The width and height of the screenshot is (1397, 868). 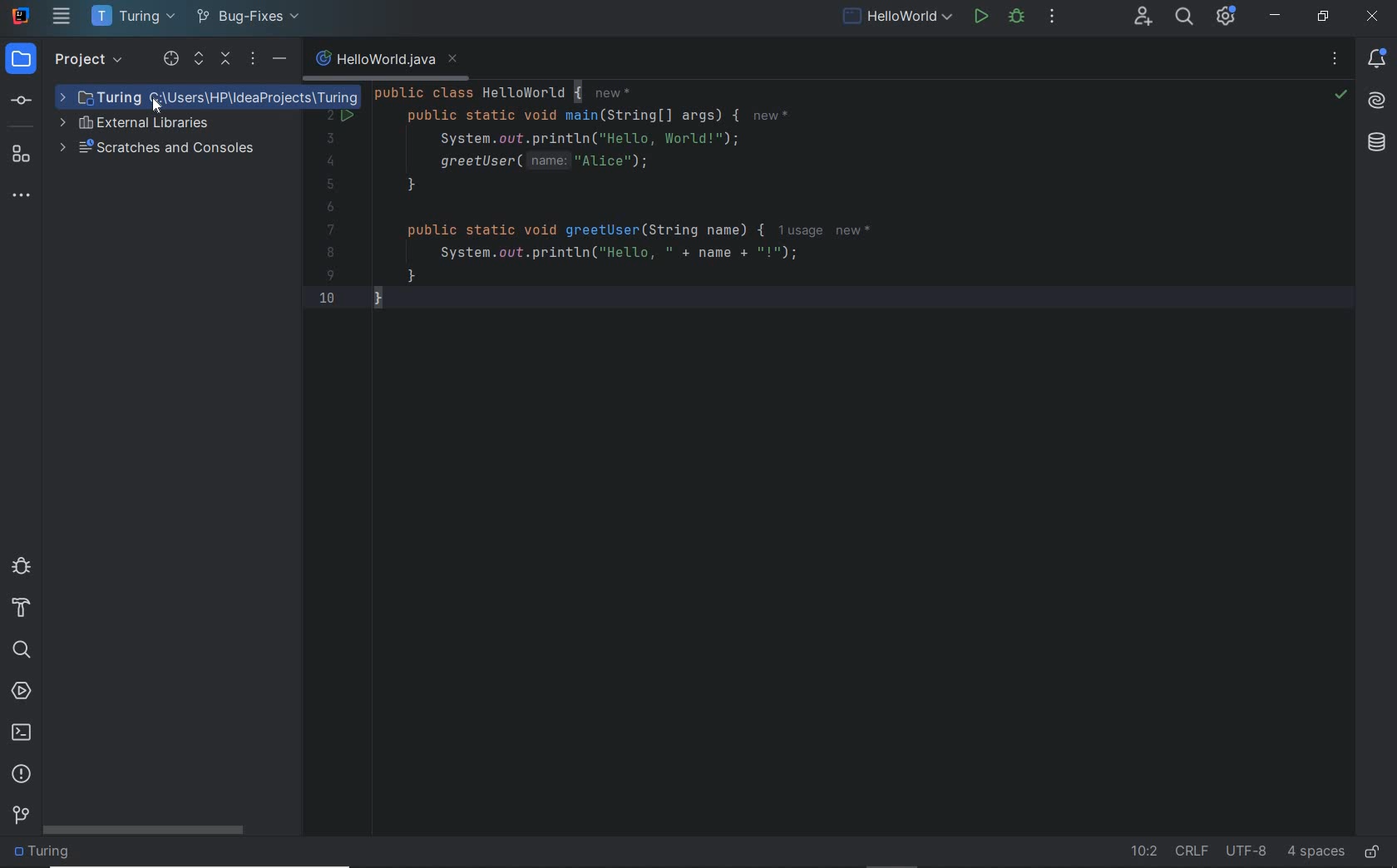 What do you see at coordinates (22, 819) in the screenshot?
I see `git` at bounding box center [22, 819].